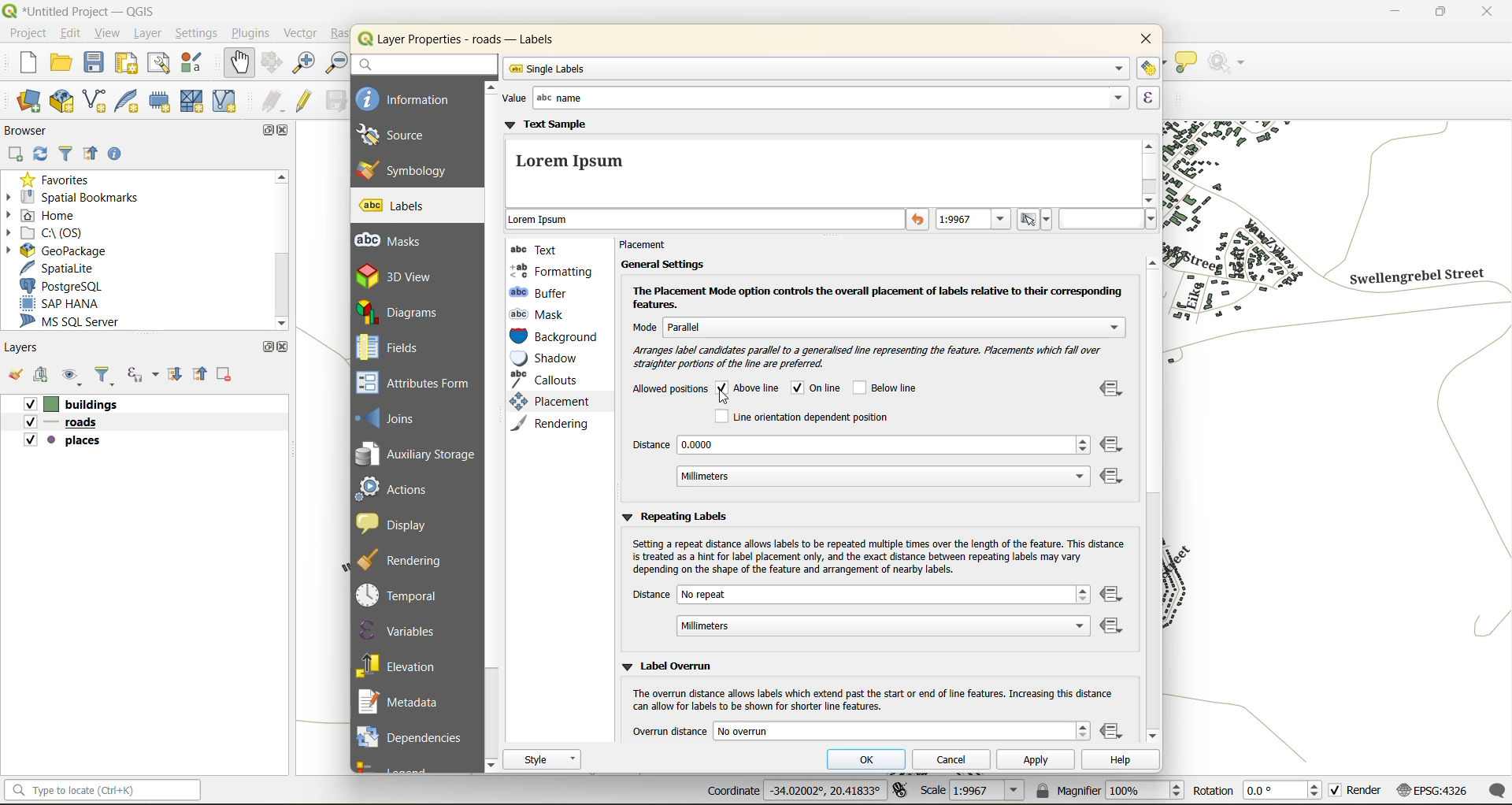 This screenshot has width=1512, height=805. Describe the element at coordinates (876, 355) in the screenshot. I see `label candidates preferable arrangement` at that location.